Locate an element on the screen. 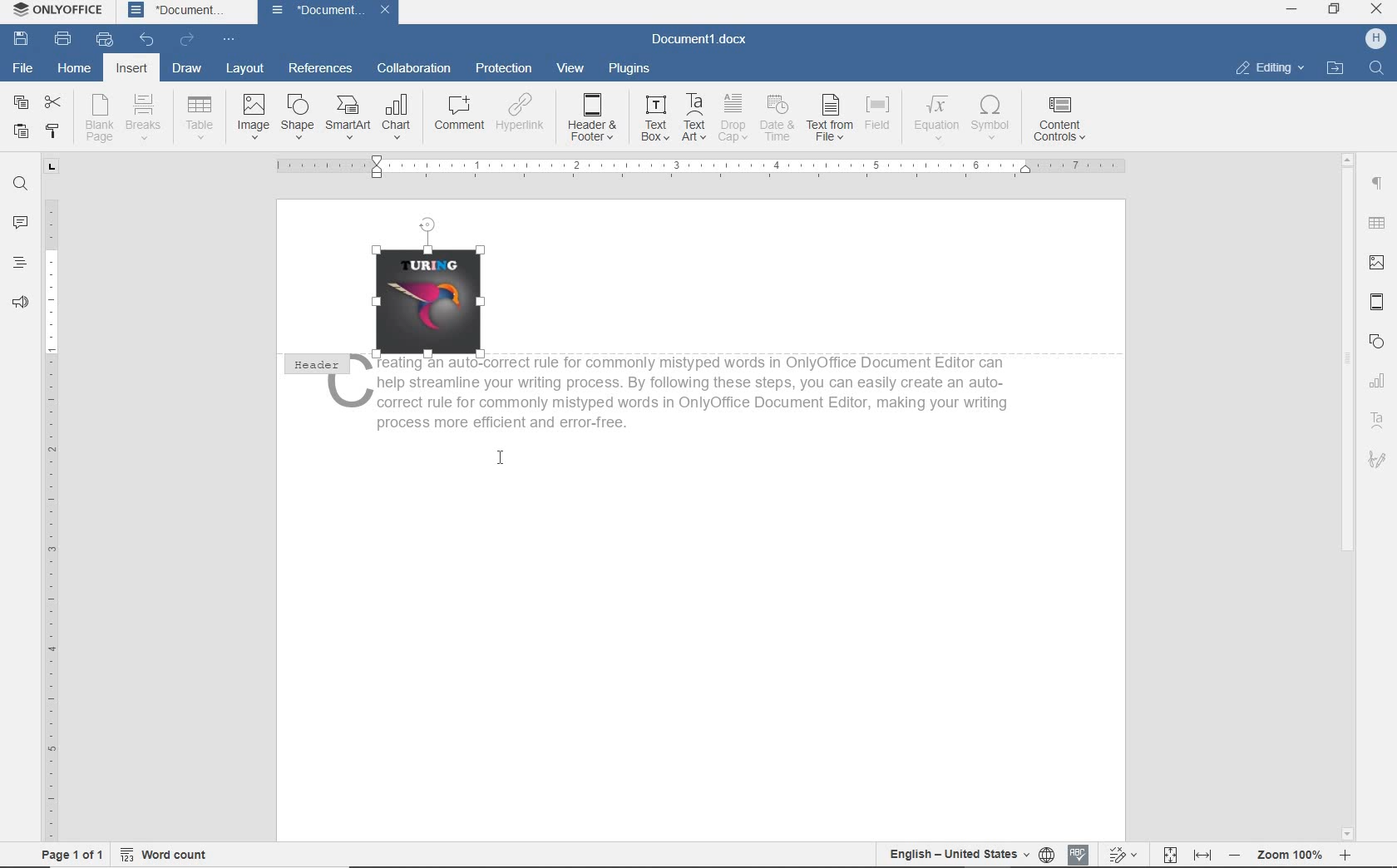  DOCUMENT .docx is located at coordinates (699, 38).